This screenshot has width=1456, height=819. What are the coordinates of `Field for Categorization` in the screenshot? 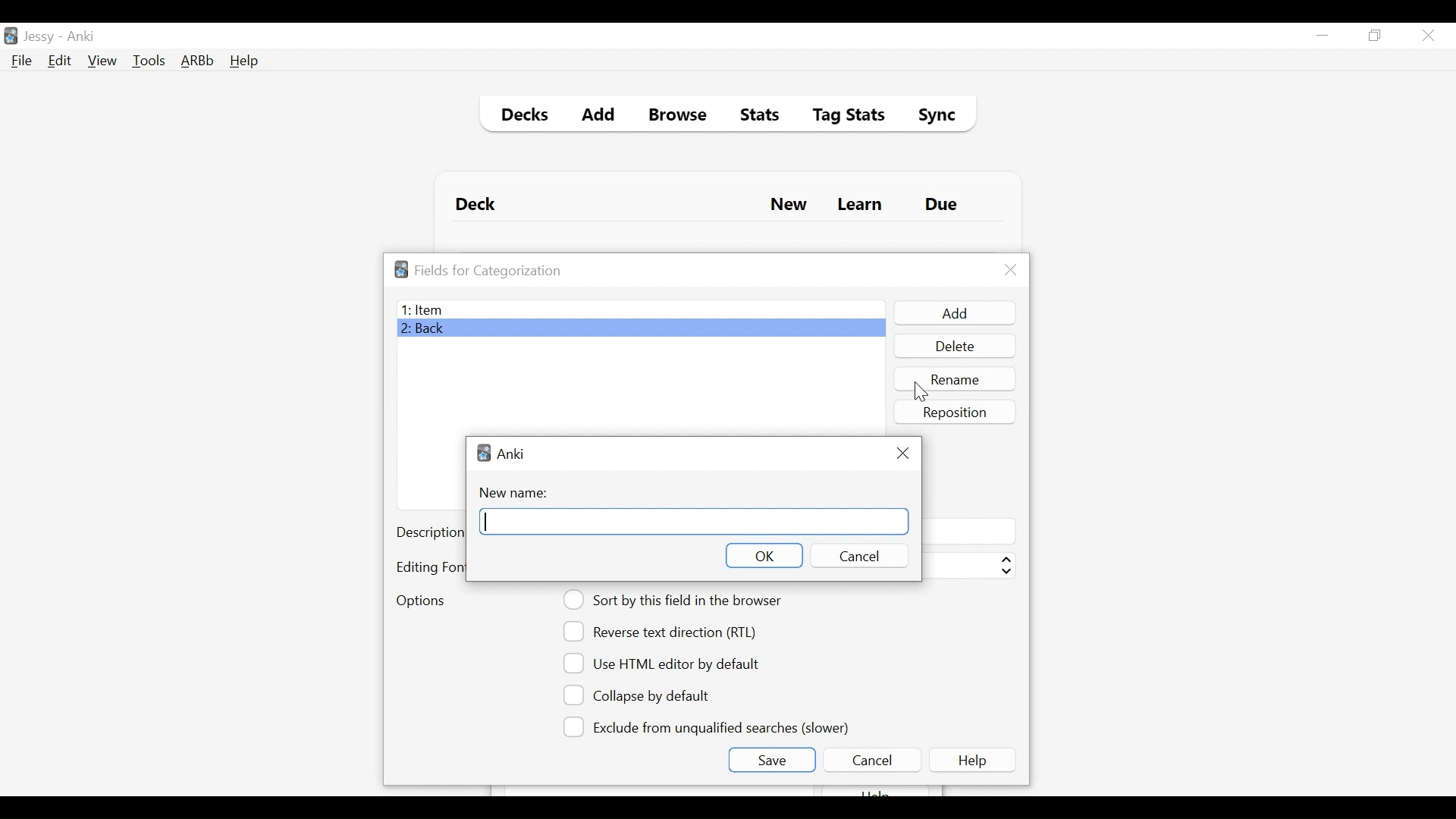 It's located at (488, 271).